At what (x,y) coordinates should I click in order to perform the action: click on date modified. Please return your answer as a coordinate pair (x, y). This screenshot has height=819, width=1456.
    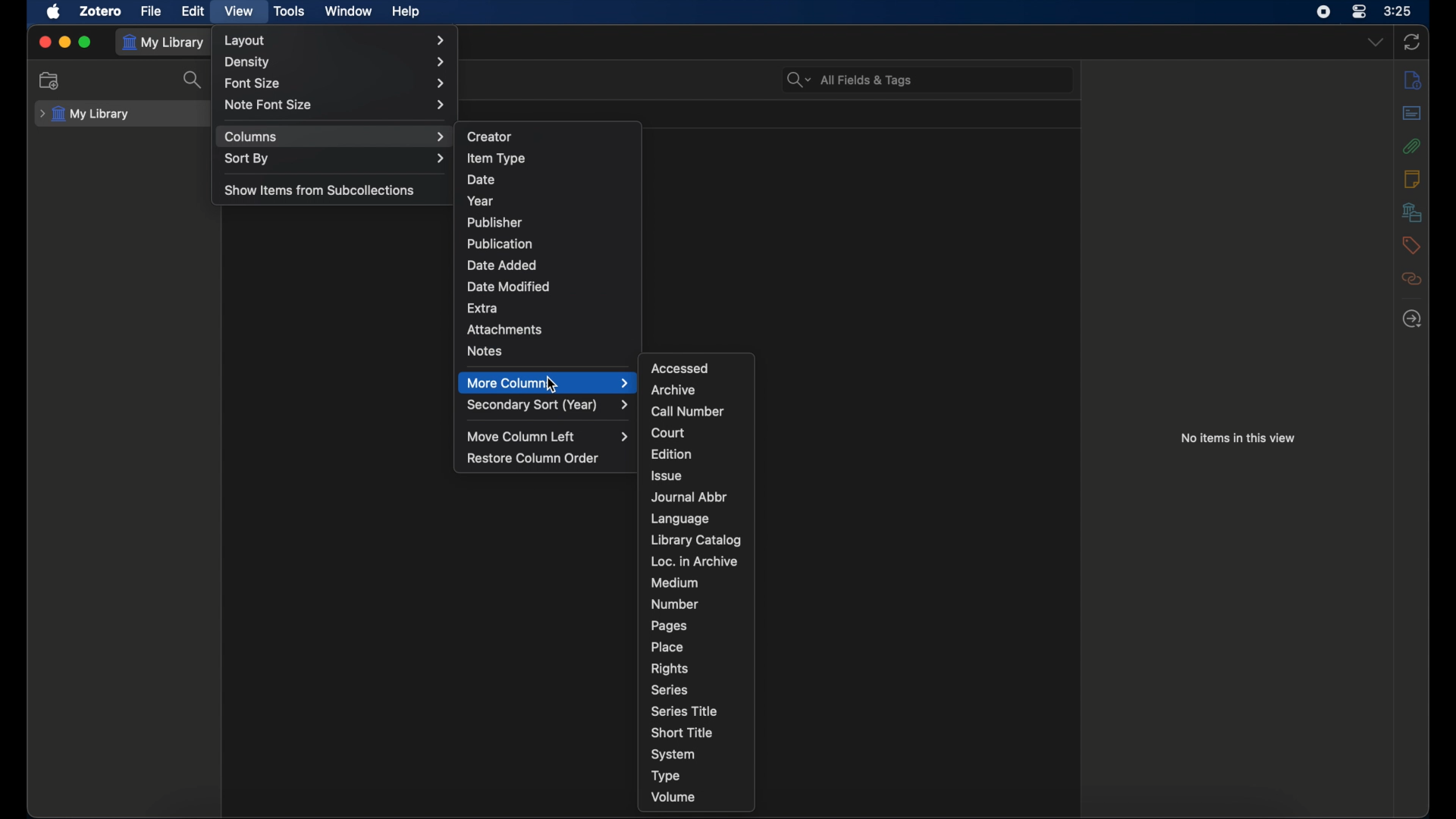
    Looking at the image, I should click on (511, 287).